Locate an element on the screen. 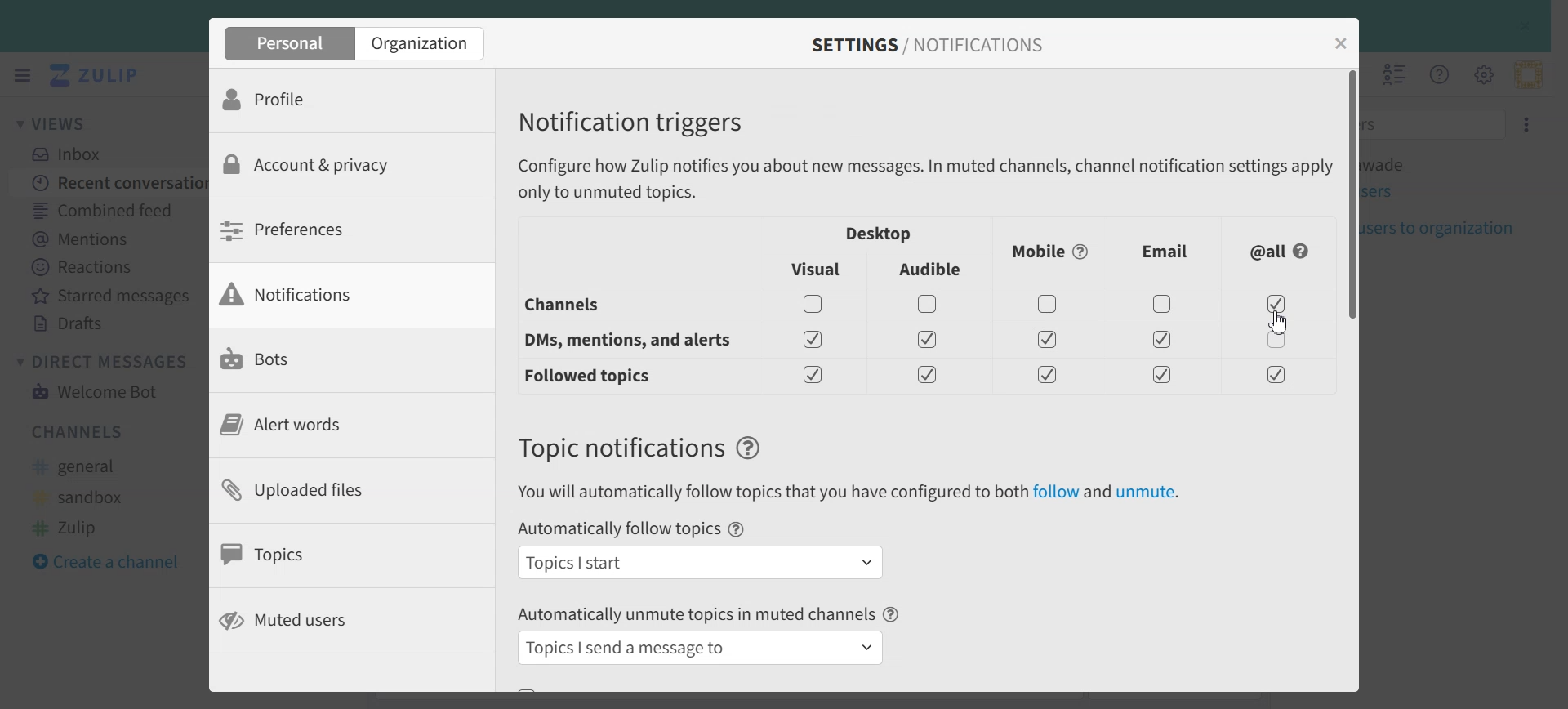 The height and width of the screenshot is (709, 1568). Desktop is located at coordinates (880, 234).